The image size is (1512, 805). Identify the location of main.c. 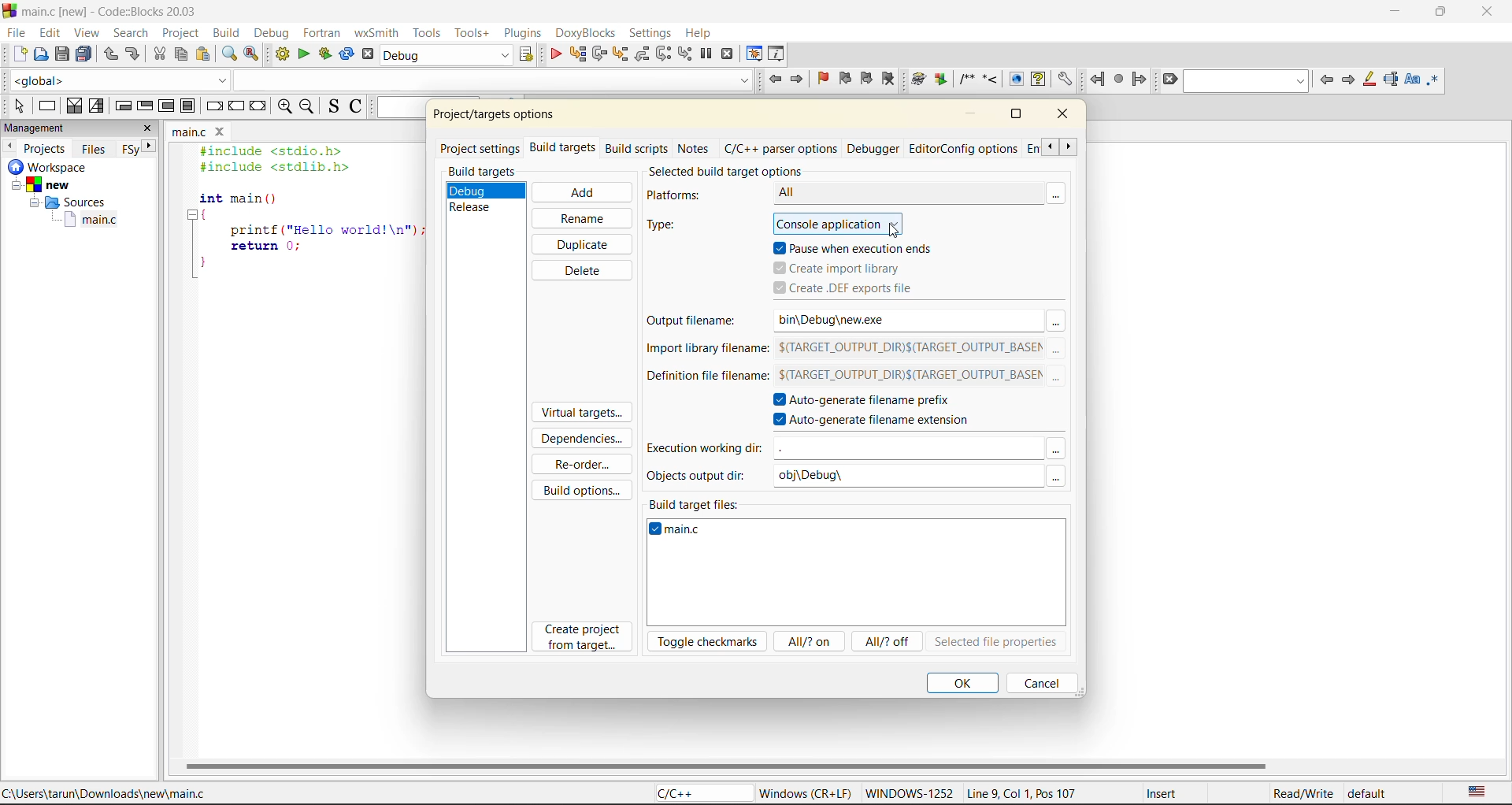
(675, 529).